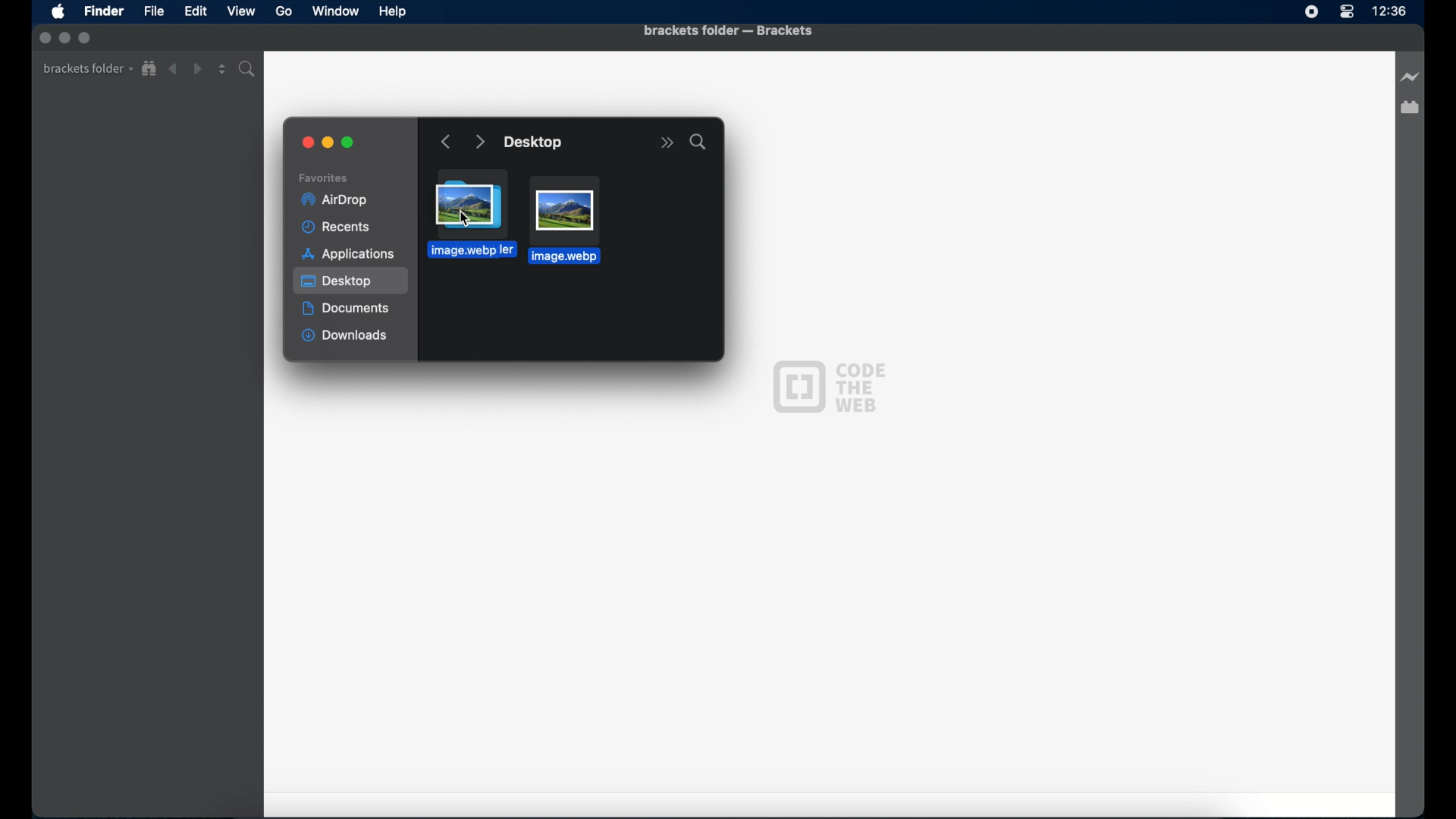 This screenshot has width=1456, height=819. Describe the element at coordinates (1410, 77) in the screenshot. I see `live preview` at that location.